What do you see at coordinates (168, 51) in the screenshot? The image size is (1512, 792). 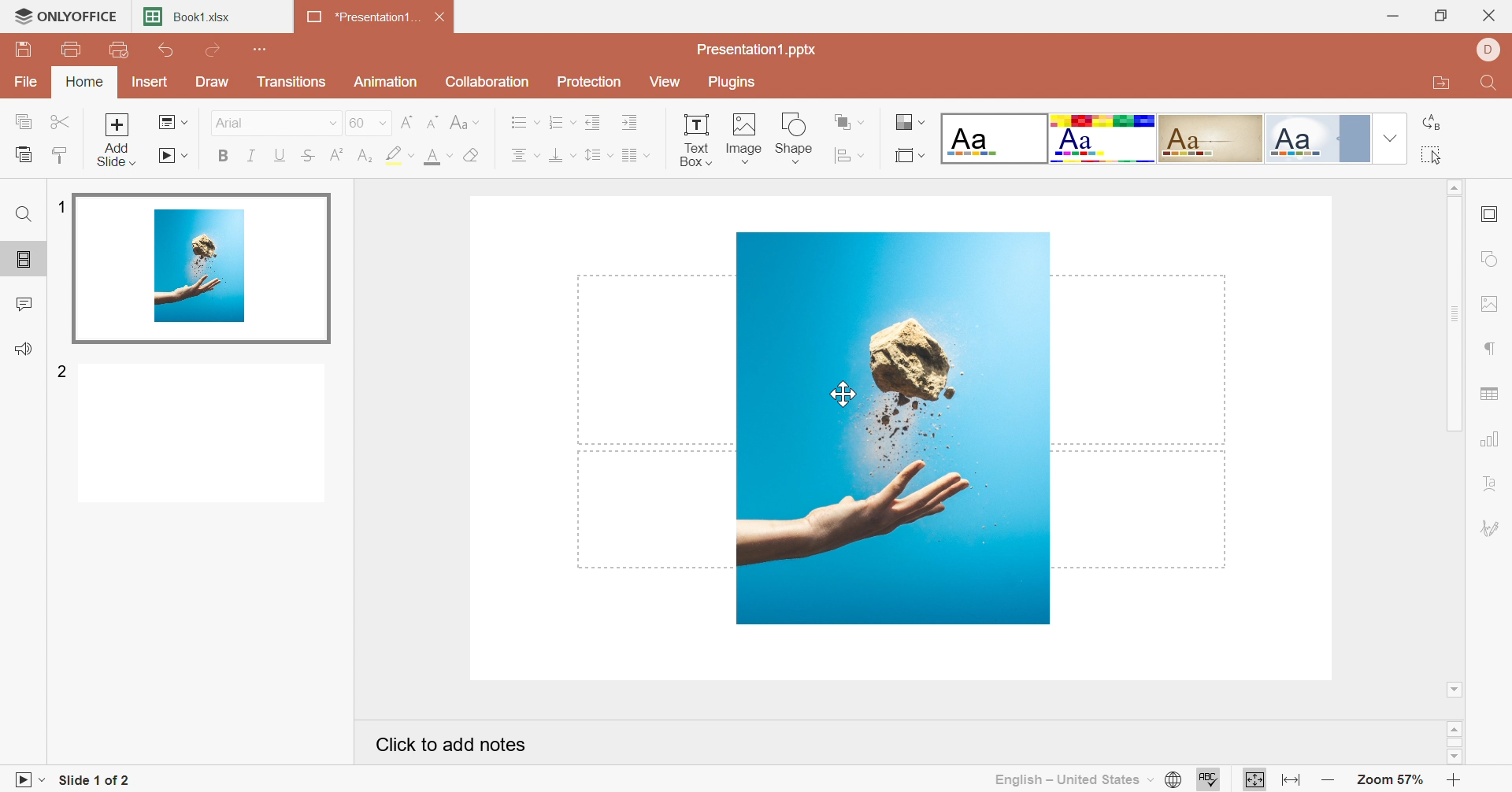 I see `Undo` at bounding box center [168, 51].